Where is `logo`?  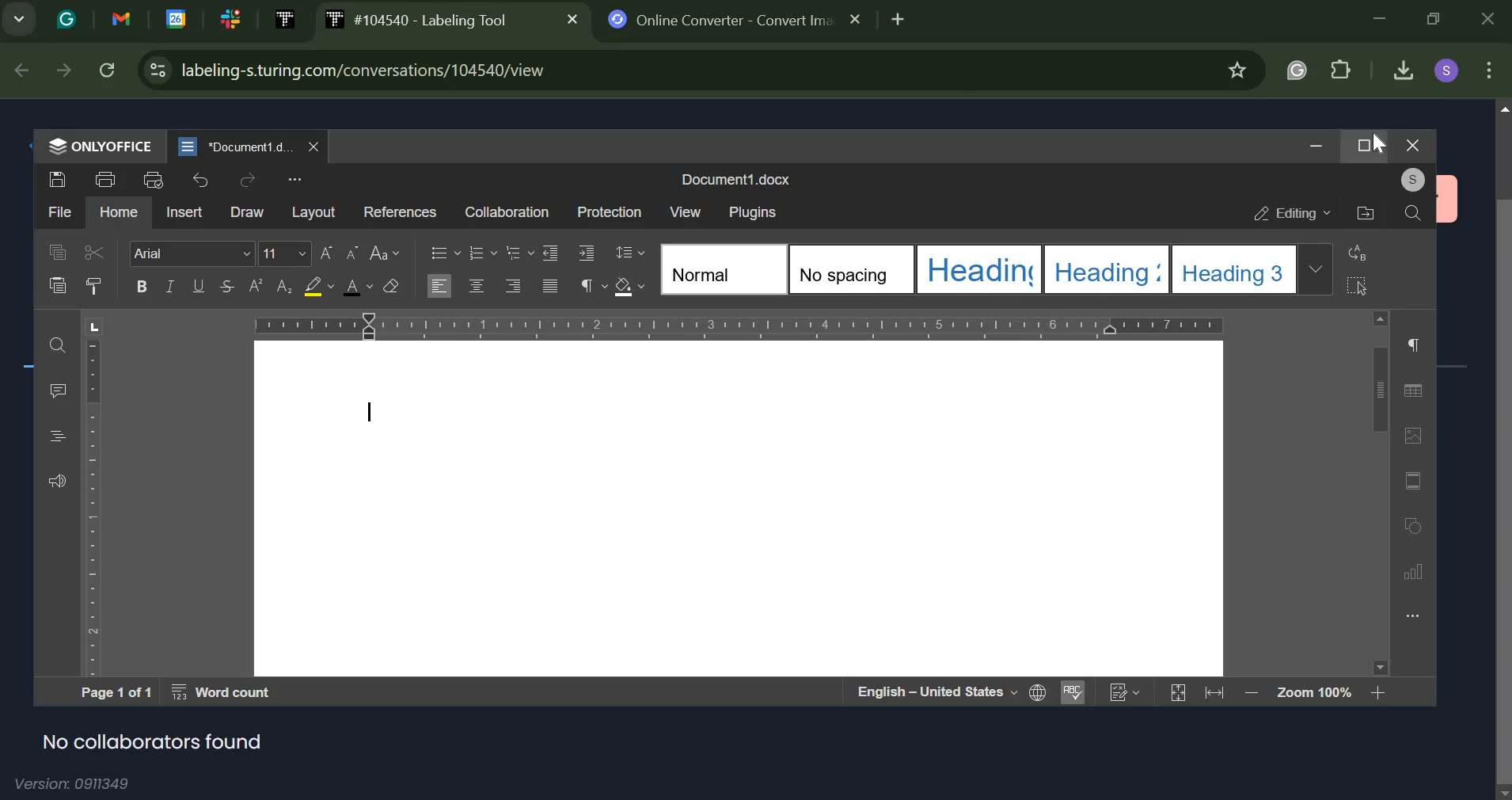
logo is located at coordinates (188, 147).